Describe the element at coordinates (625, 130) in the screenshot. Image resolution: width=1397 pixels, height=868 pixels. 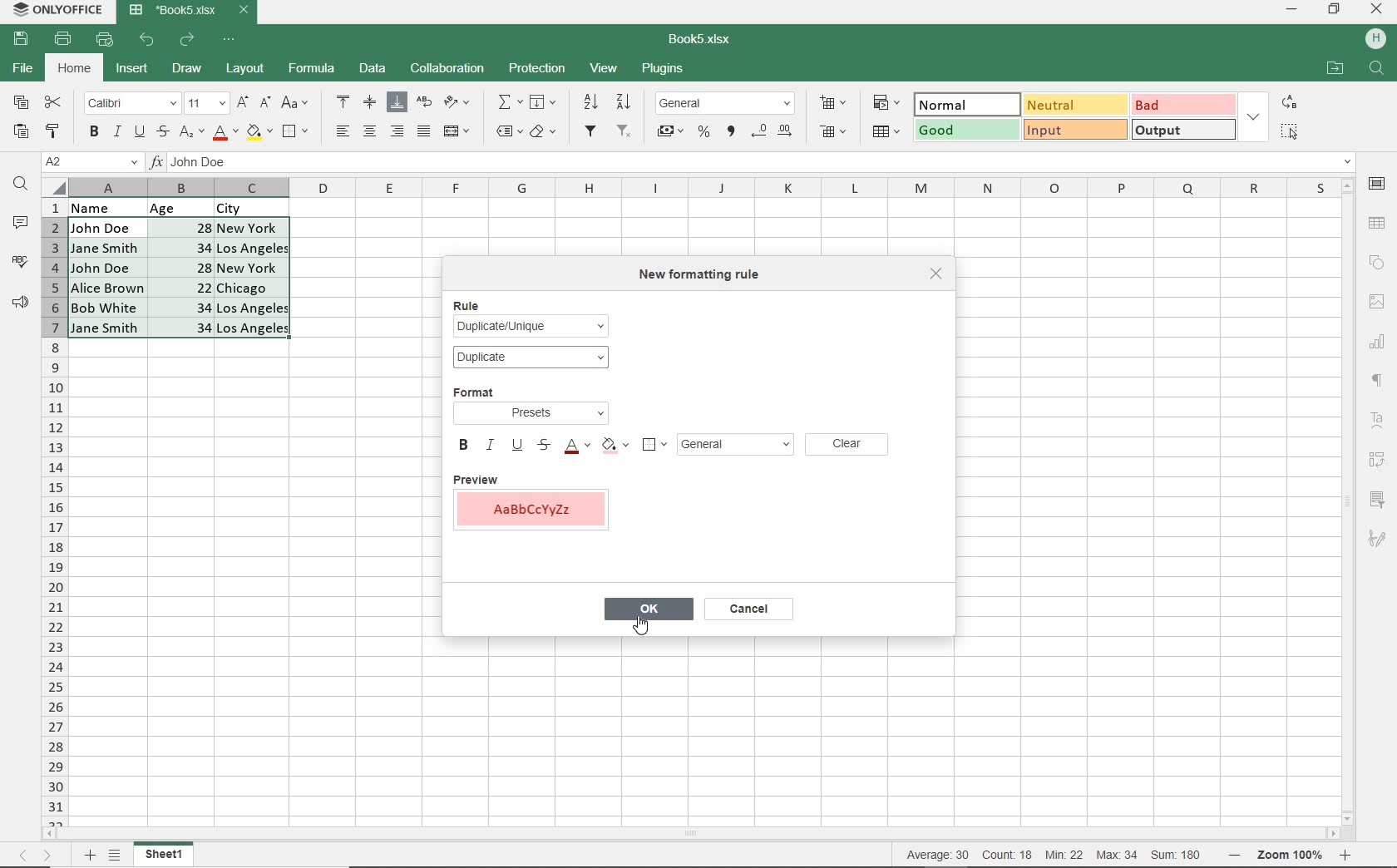
I see `REMOVE FILTER` at that location.